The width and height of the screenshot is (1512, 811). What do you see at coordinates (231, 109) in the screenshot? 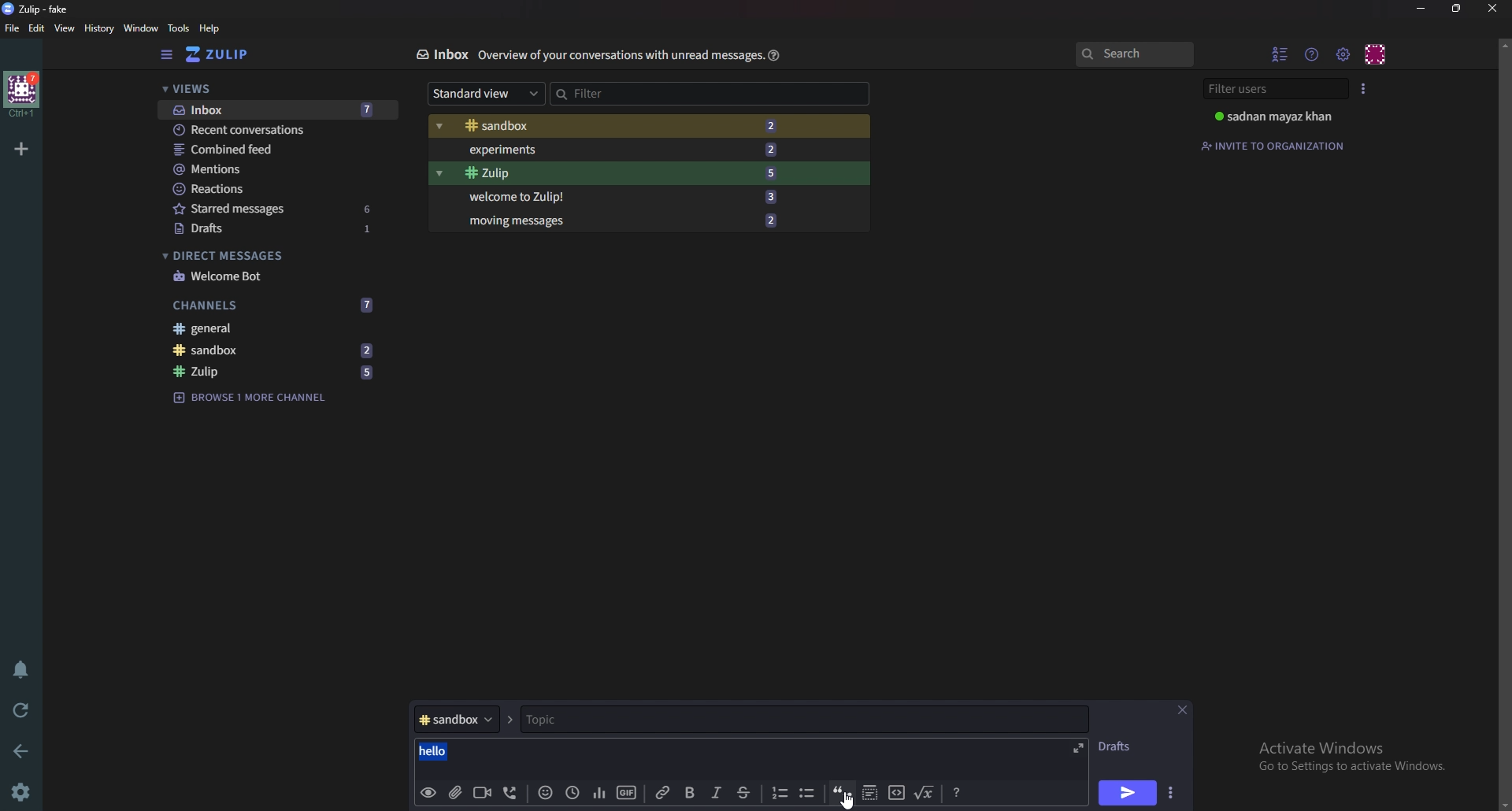
I see `Inbox` at bounding box center [231, 109].